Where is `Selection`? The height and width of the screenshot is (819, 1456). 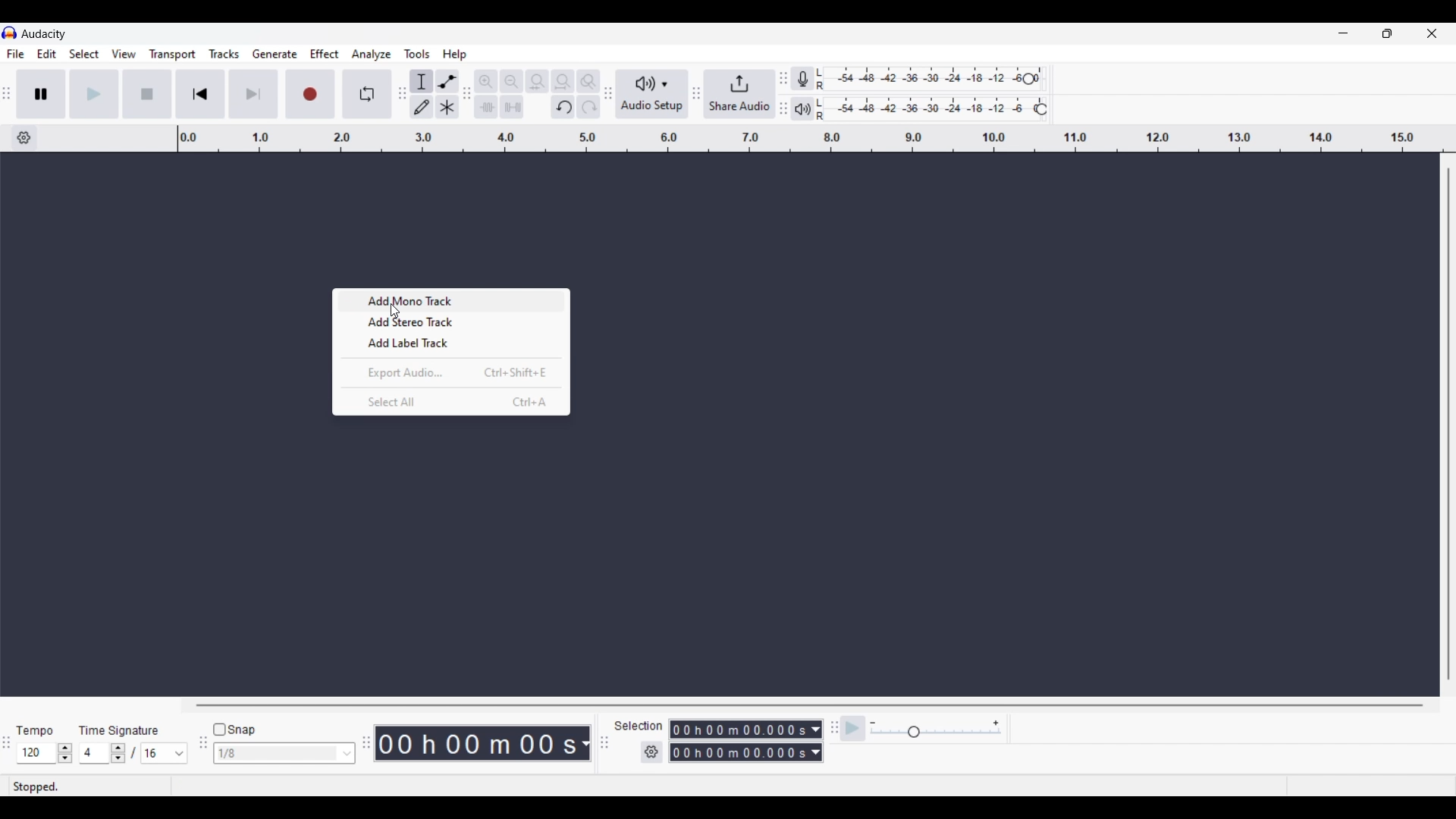
Selection is located at coordinates (637, 726).